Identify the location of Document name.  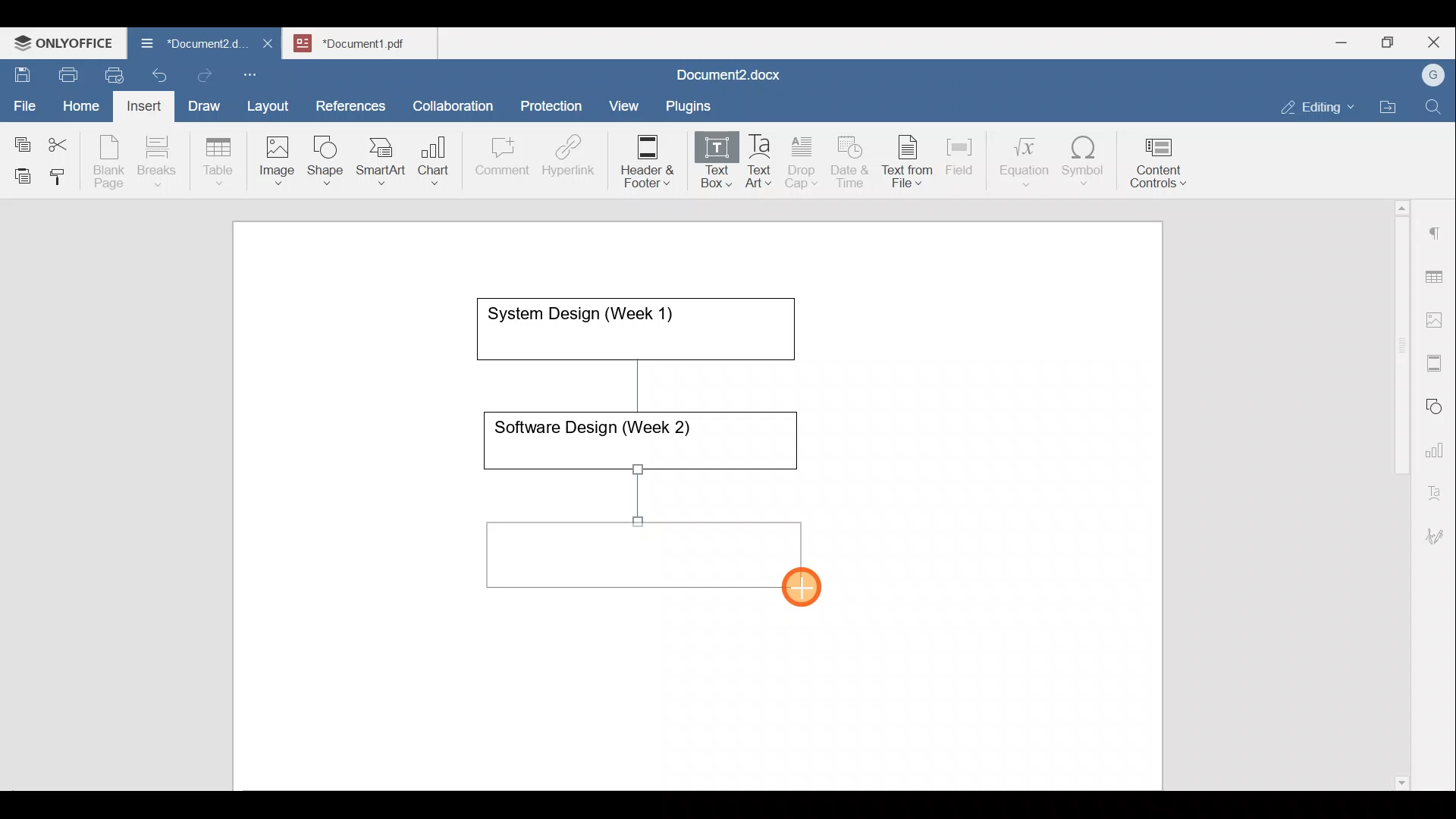
(725, 77).